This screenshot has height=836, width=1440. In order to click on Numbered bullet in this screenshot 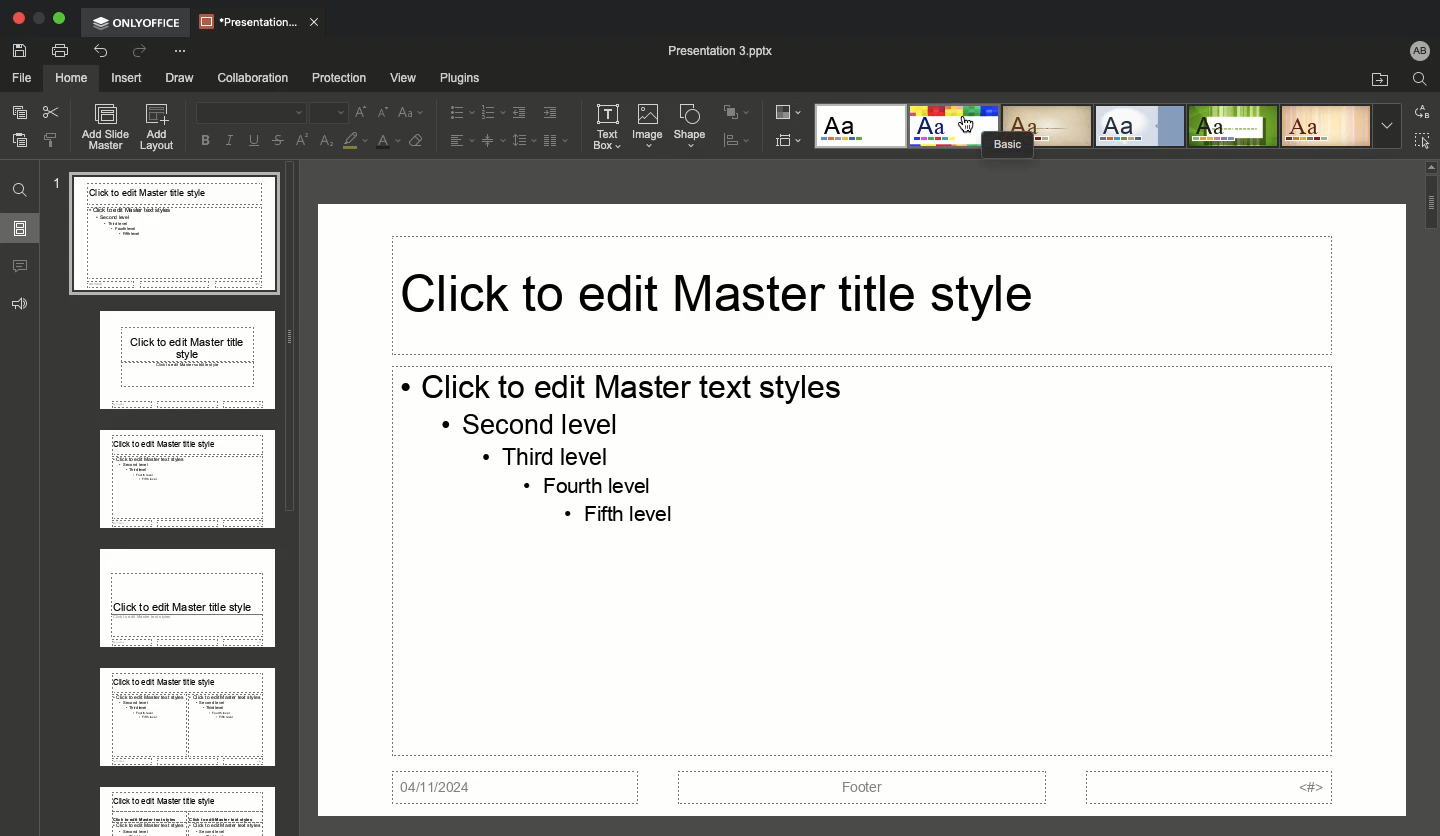, I will do `click(491, 110)`.